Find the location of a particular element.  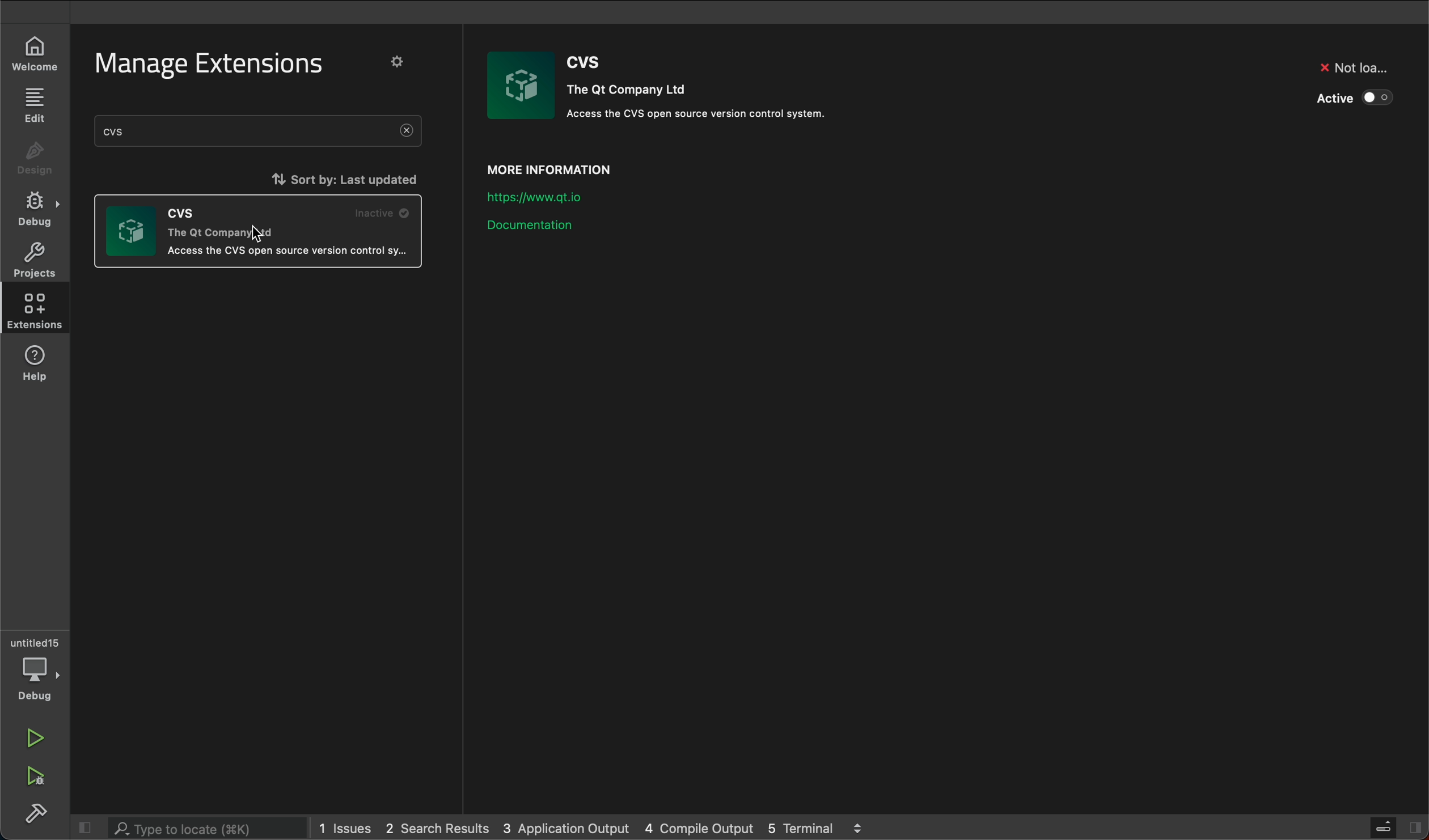

design is located at coordinates (34, 161).